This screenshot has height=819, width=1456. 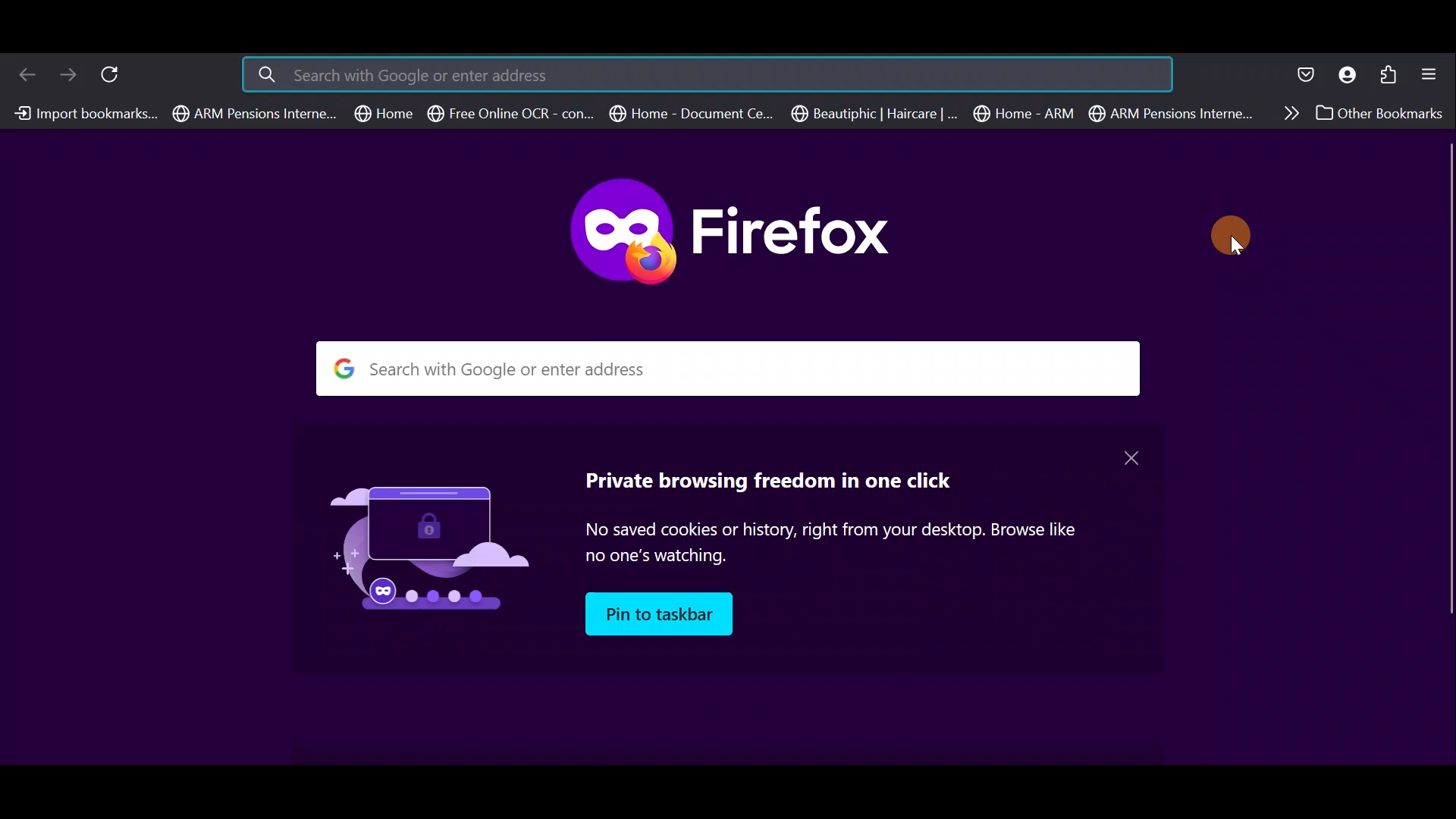 What do you see at coordinates (1434, 74) in the screenshot?
I see `Open application menu` at bounding box center [1434, 74].